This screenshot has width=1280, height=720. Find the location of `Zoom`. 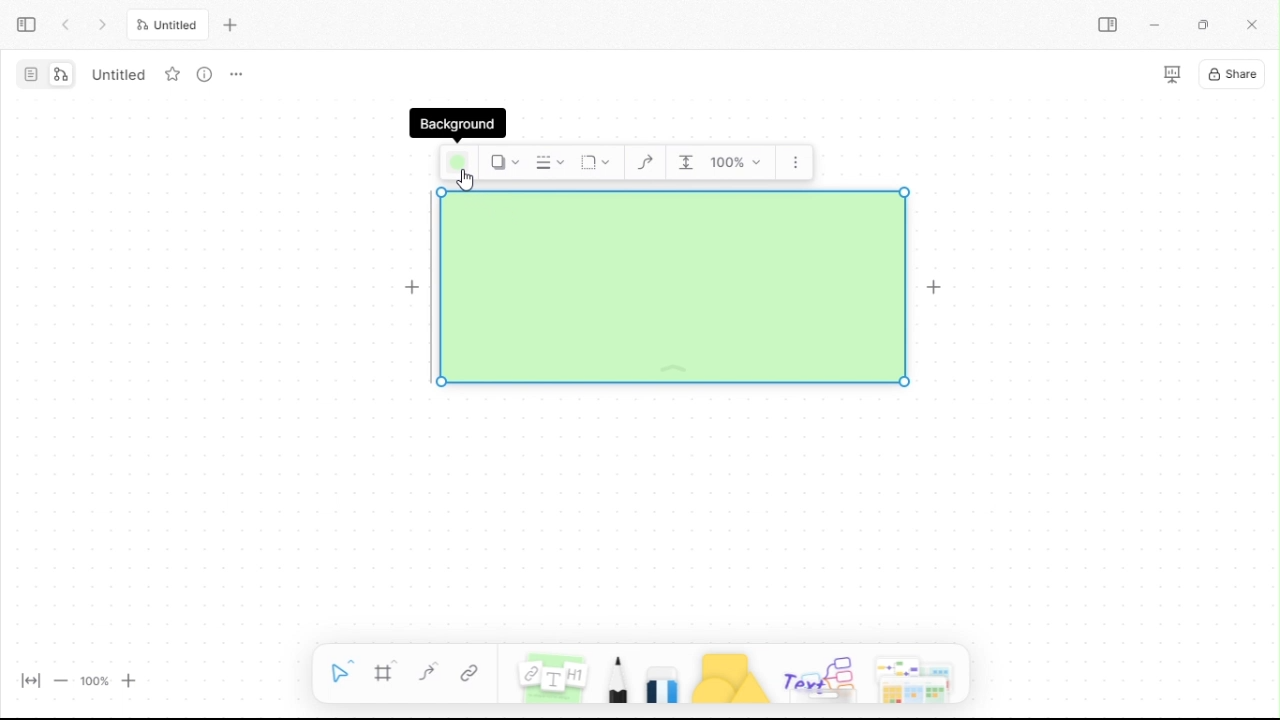

Zoom is located at coordinates (738, 163).